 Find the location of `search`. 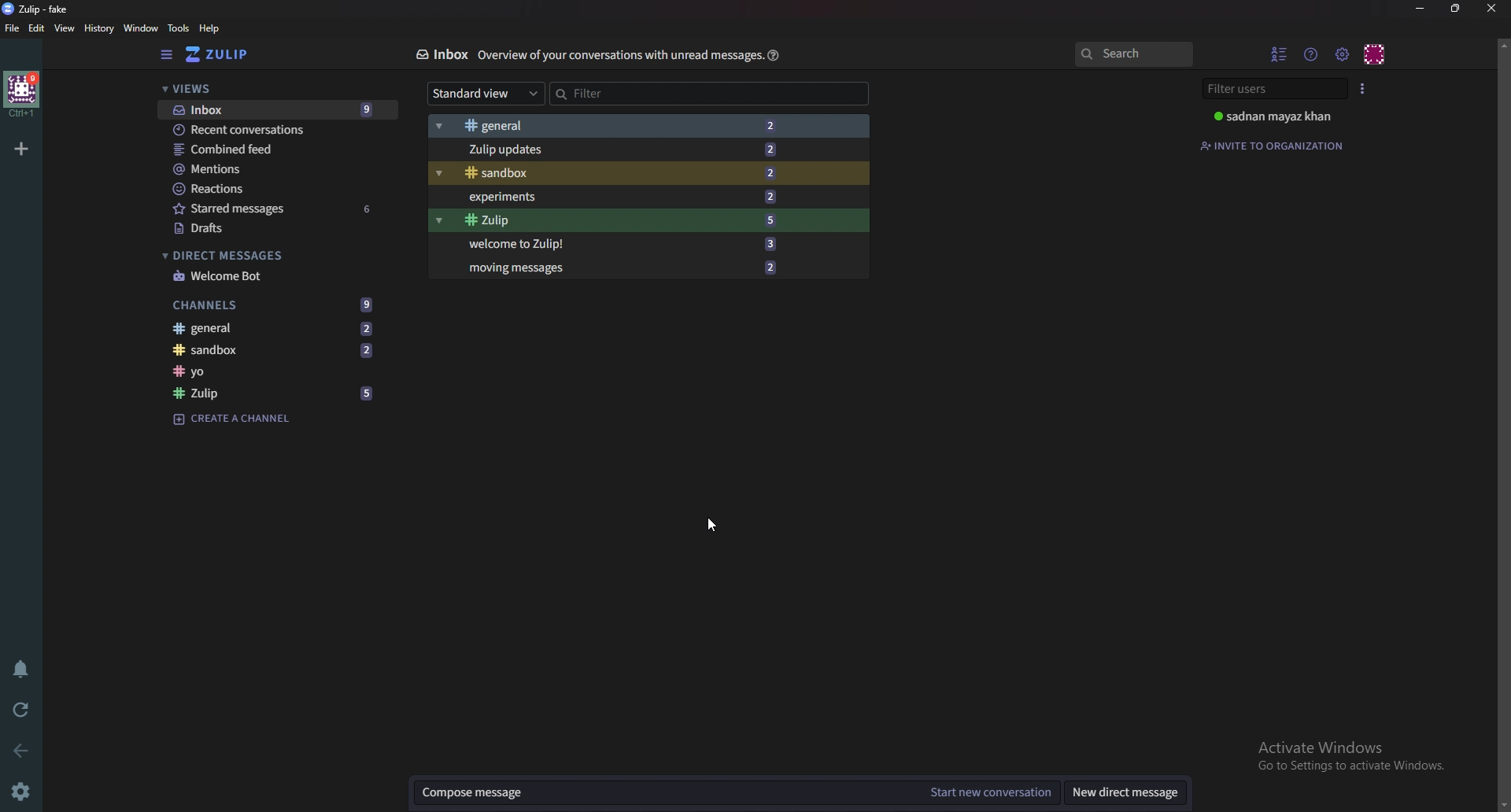

search is located at coordinates (1132, 53).